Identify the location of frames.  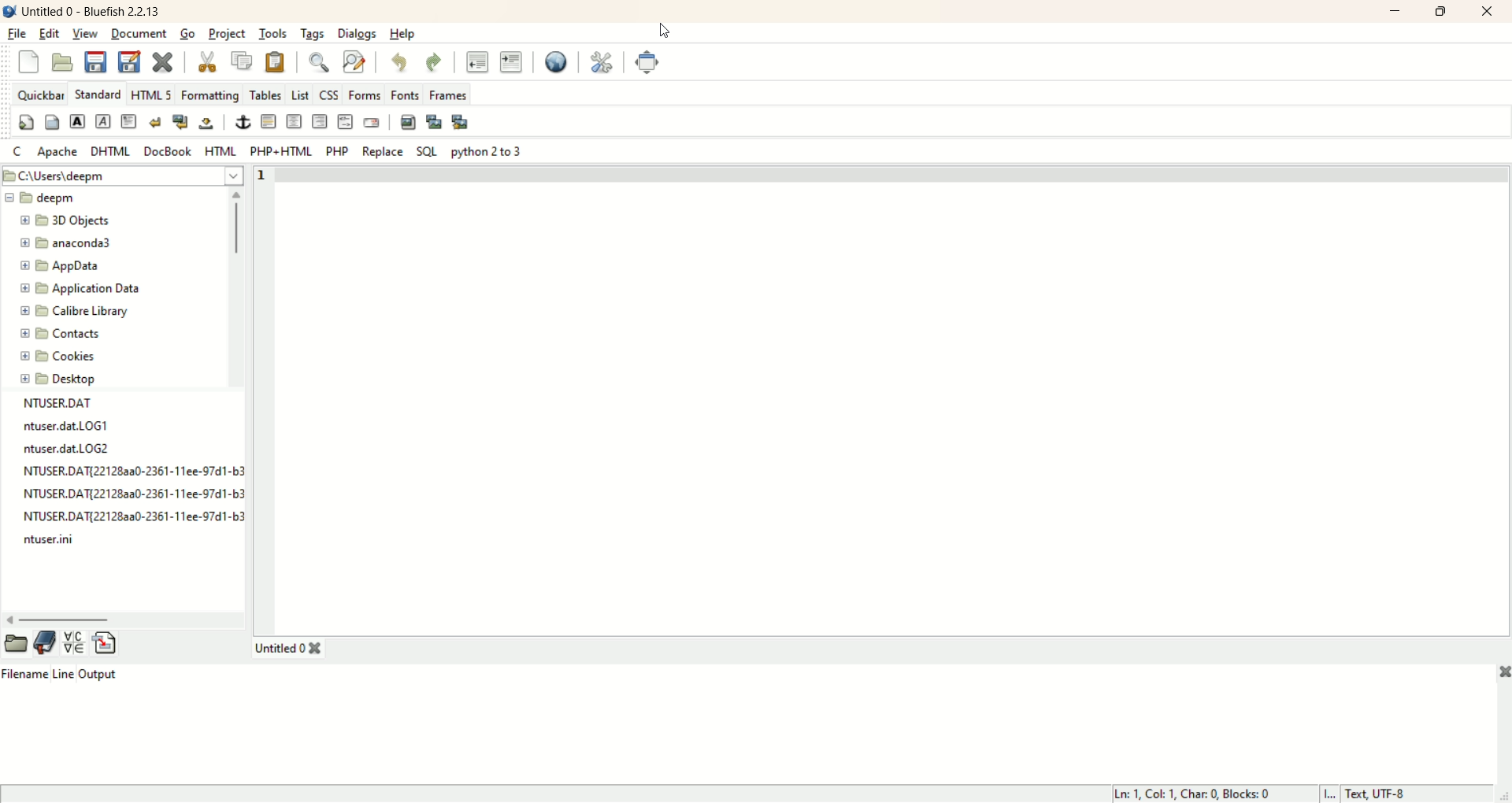
(448, 93).